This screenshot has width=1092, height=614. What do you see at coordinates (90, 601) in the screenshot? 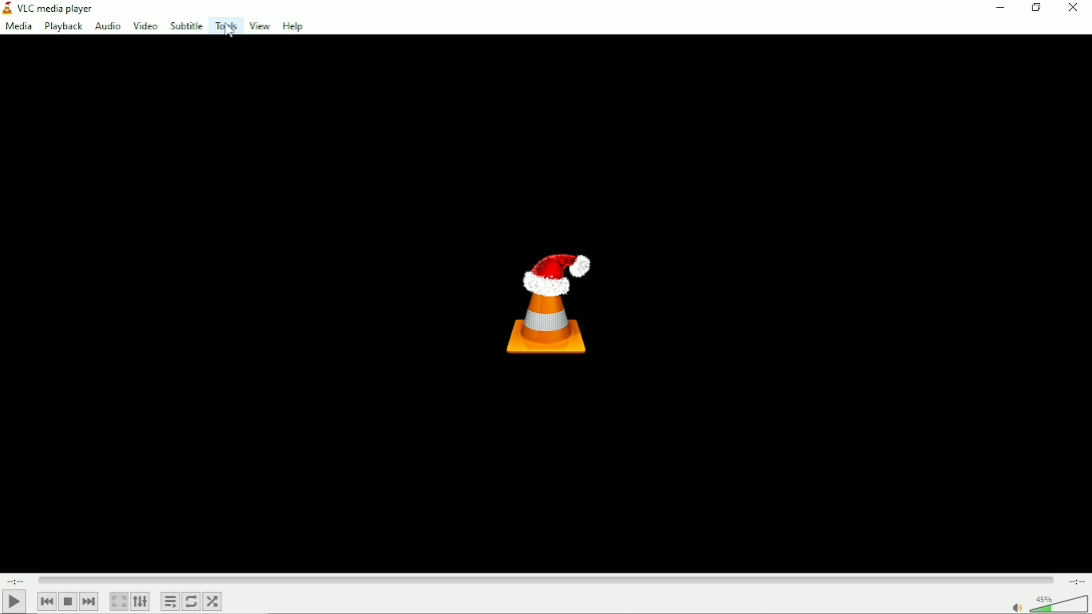
I see `Next` at bounding box center [90, 601].